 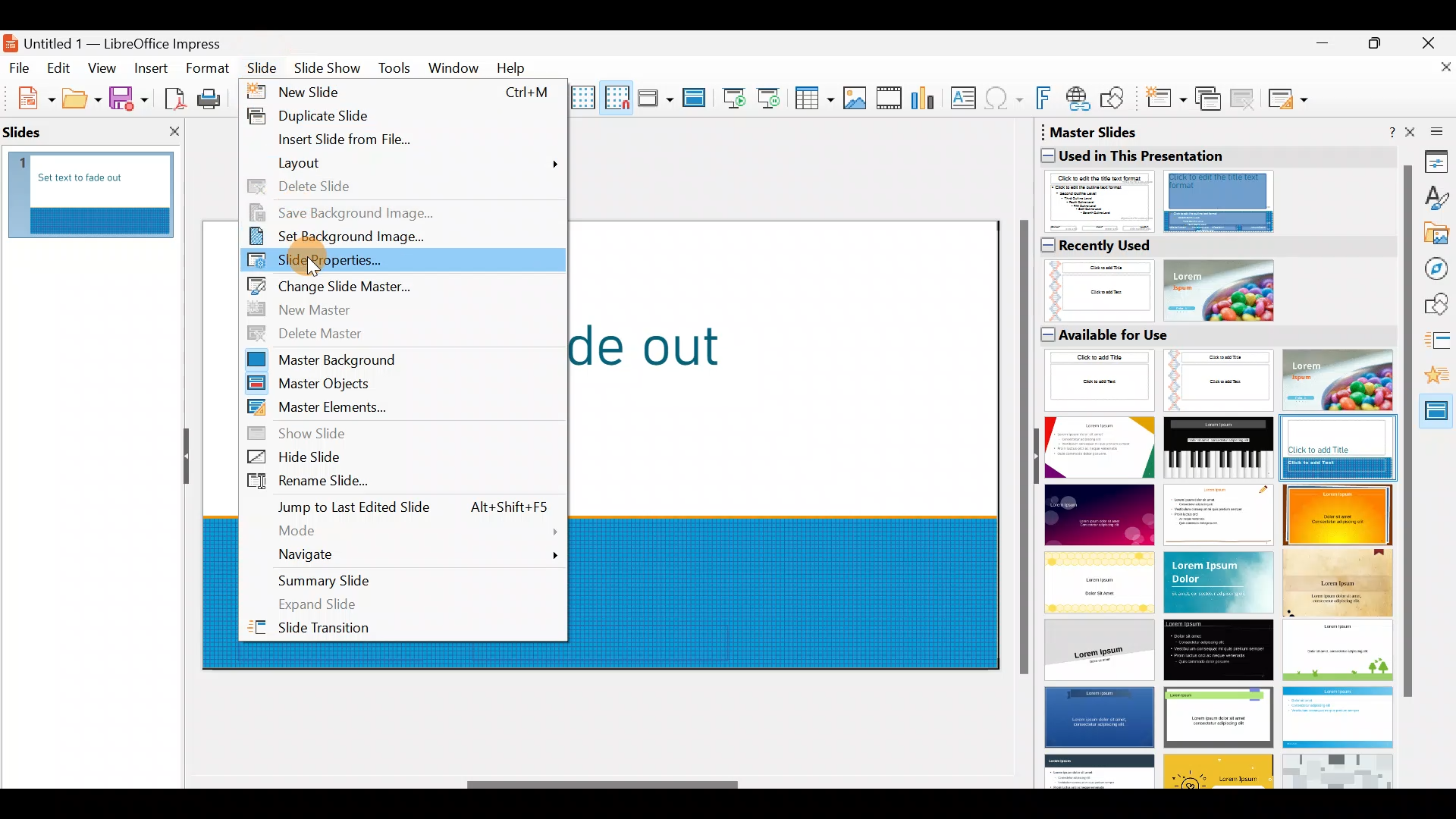 I want to click on Display views, so click(x=654, y=97).